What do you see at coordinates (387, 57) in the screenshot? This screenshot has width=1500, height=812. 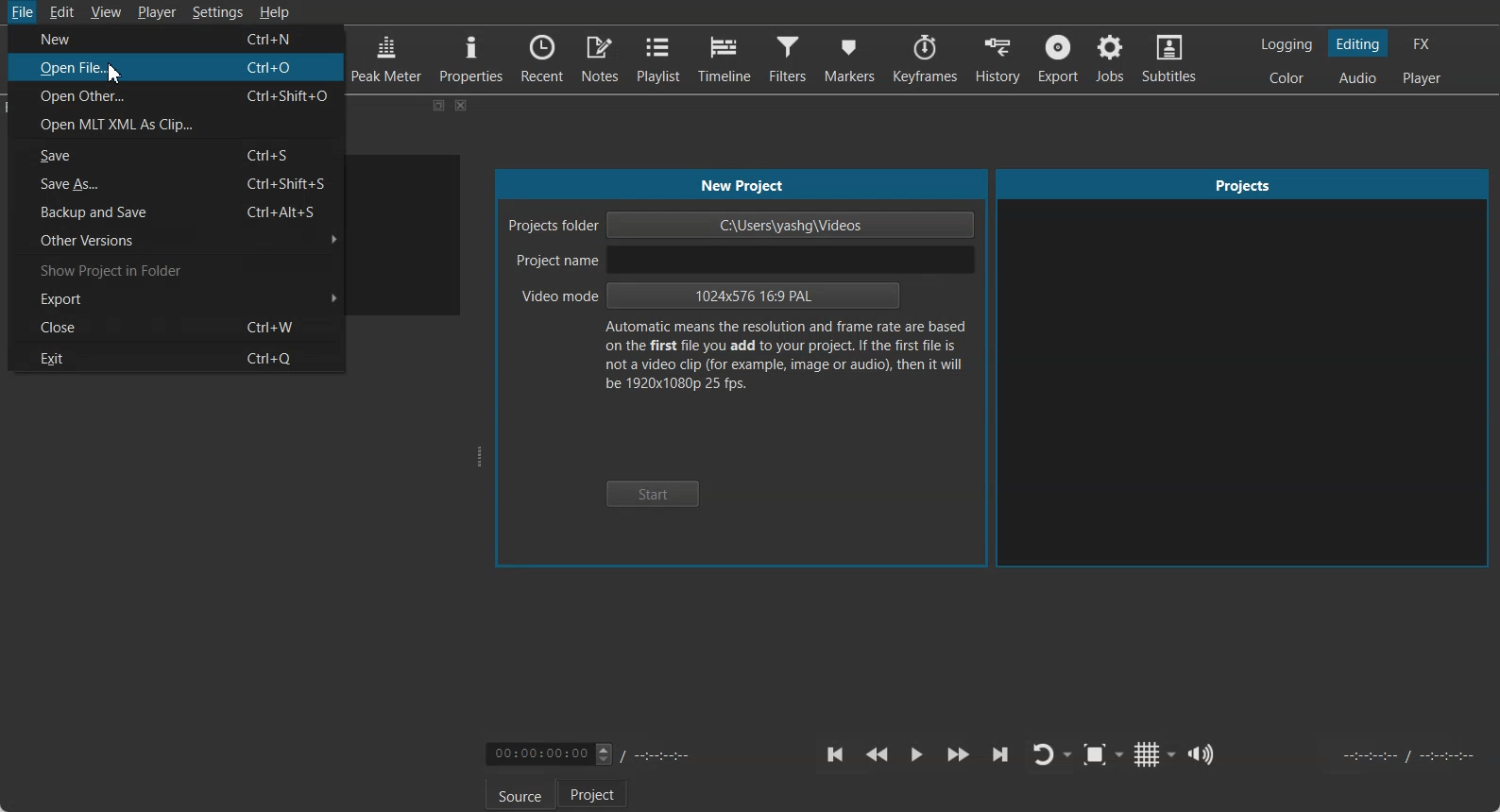 I see `Peak Meter` at bounding box center [387, 57].